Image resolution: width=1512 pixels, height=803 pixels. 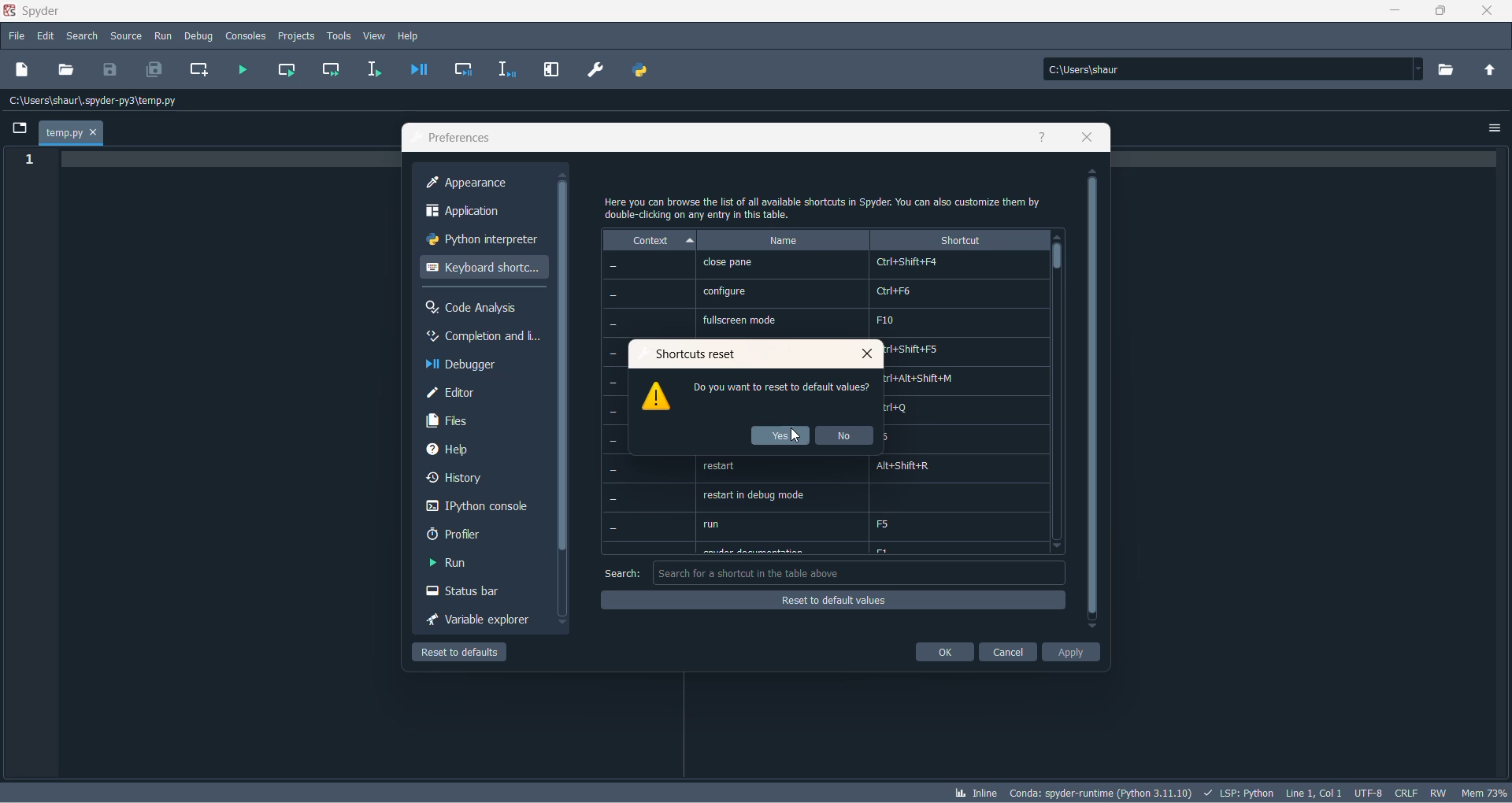 What do you see at coordinates (1059, 549) in the screenshot?
I see `move down` at bounding box center [1059, 549].